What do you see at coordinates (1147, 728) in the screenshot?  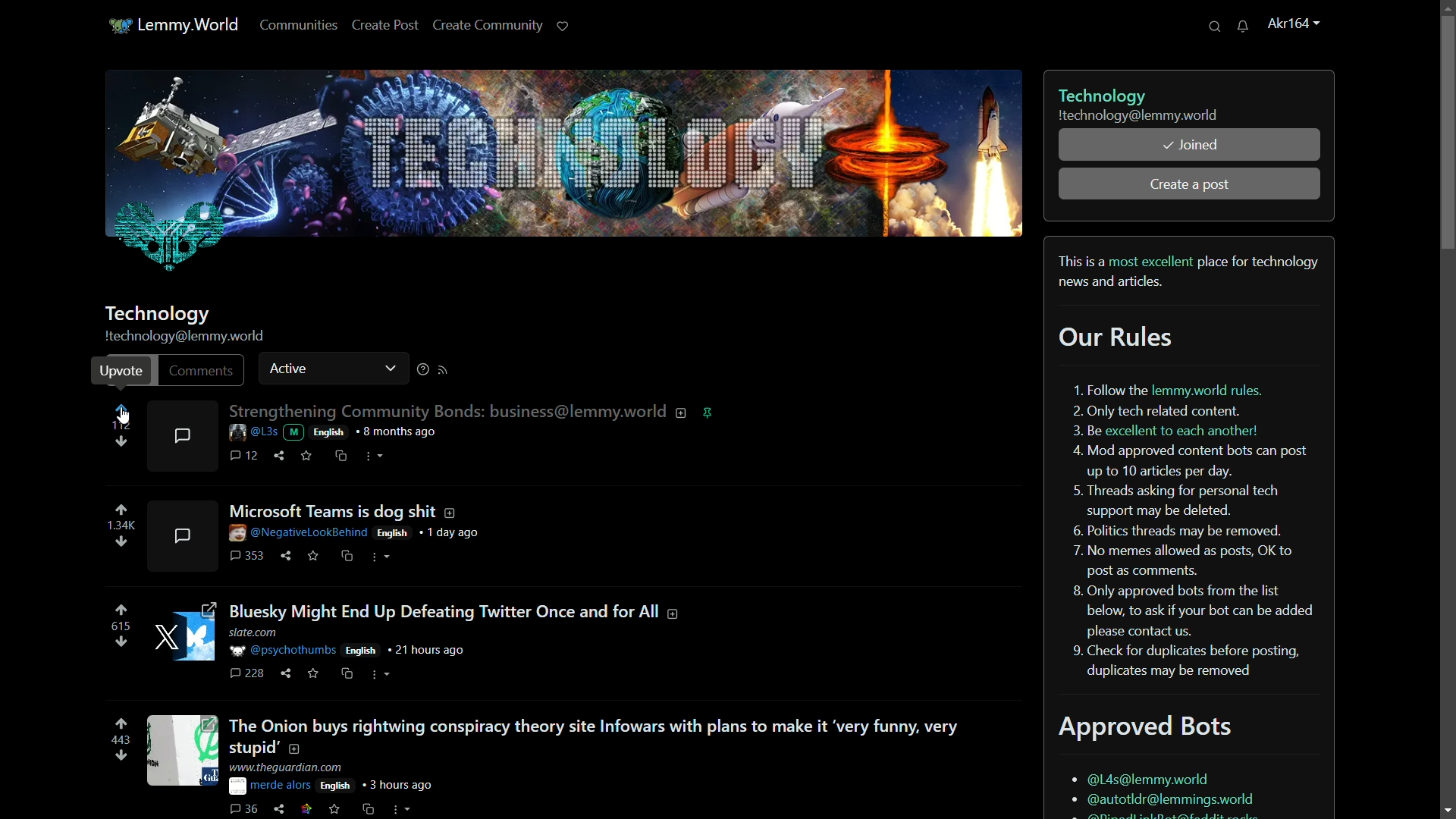 I see `approved bots` at bounding box center [1147, 728].